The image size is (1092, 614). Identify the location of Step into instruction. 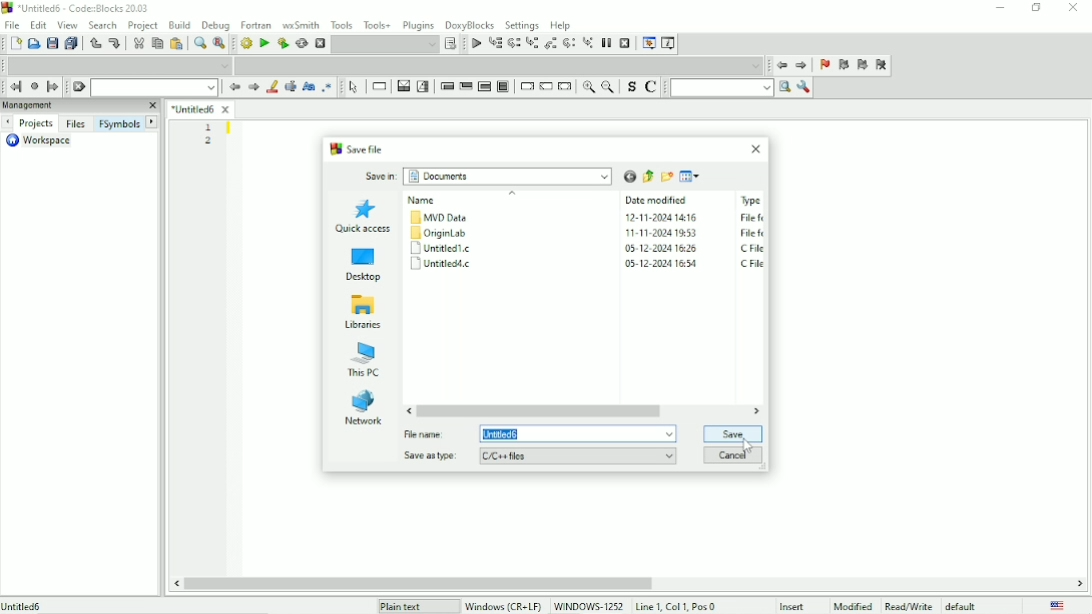
(588, 44).